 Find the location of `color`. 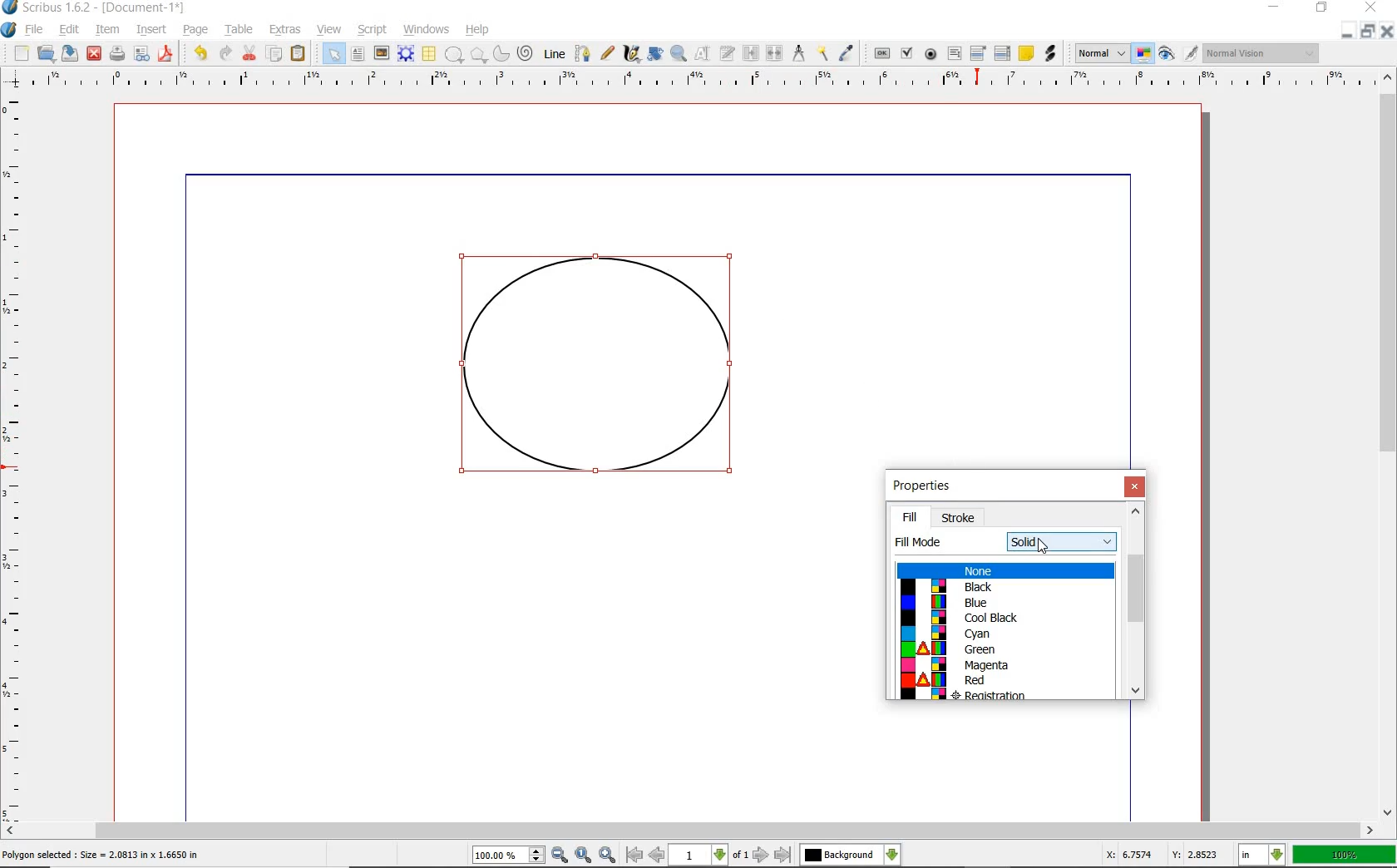

color is located at coordinates (1005, 664).